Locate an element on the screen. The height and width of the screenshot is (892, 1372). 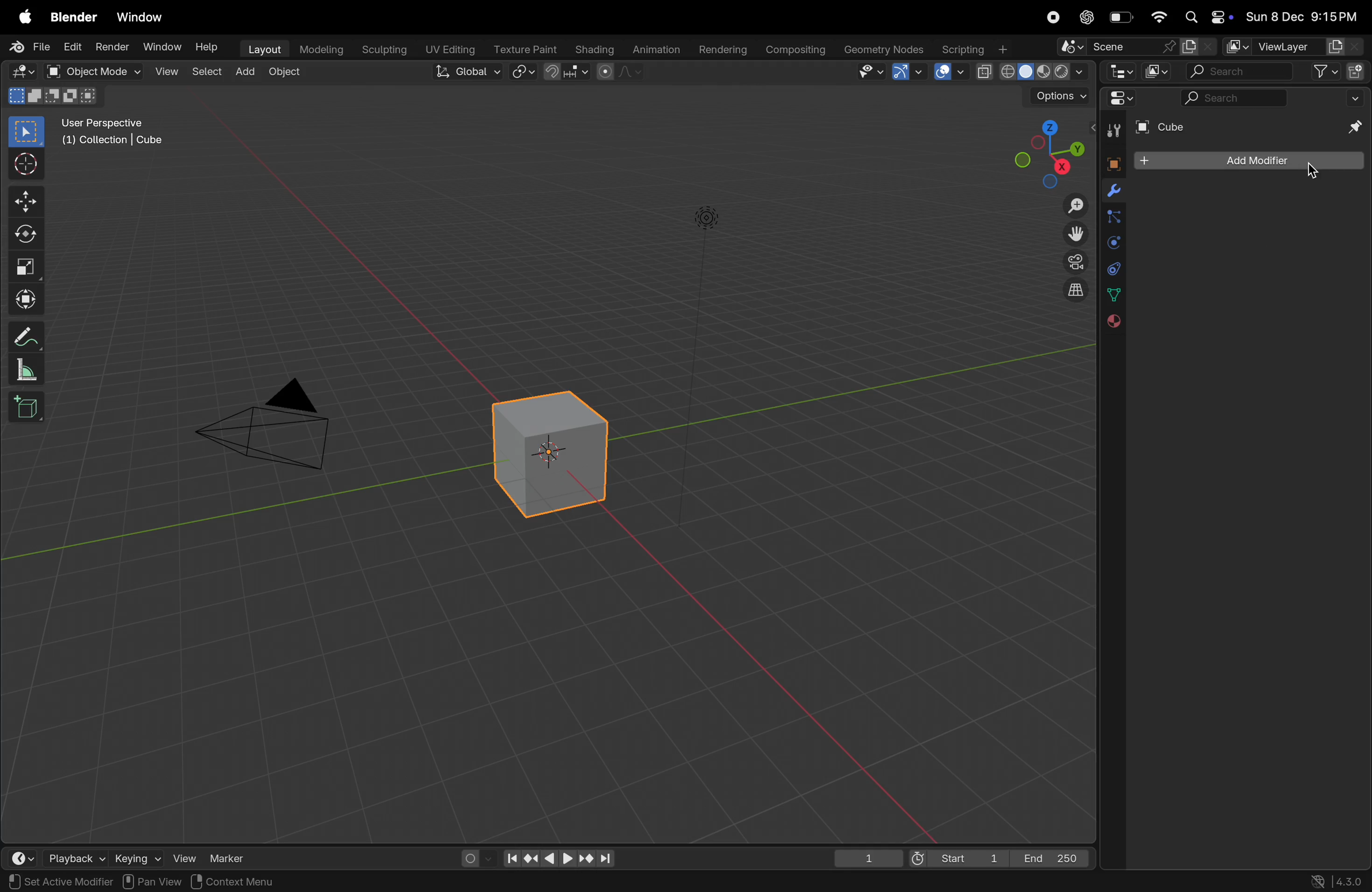
1 is located at coordinates (869, 858).